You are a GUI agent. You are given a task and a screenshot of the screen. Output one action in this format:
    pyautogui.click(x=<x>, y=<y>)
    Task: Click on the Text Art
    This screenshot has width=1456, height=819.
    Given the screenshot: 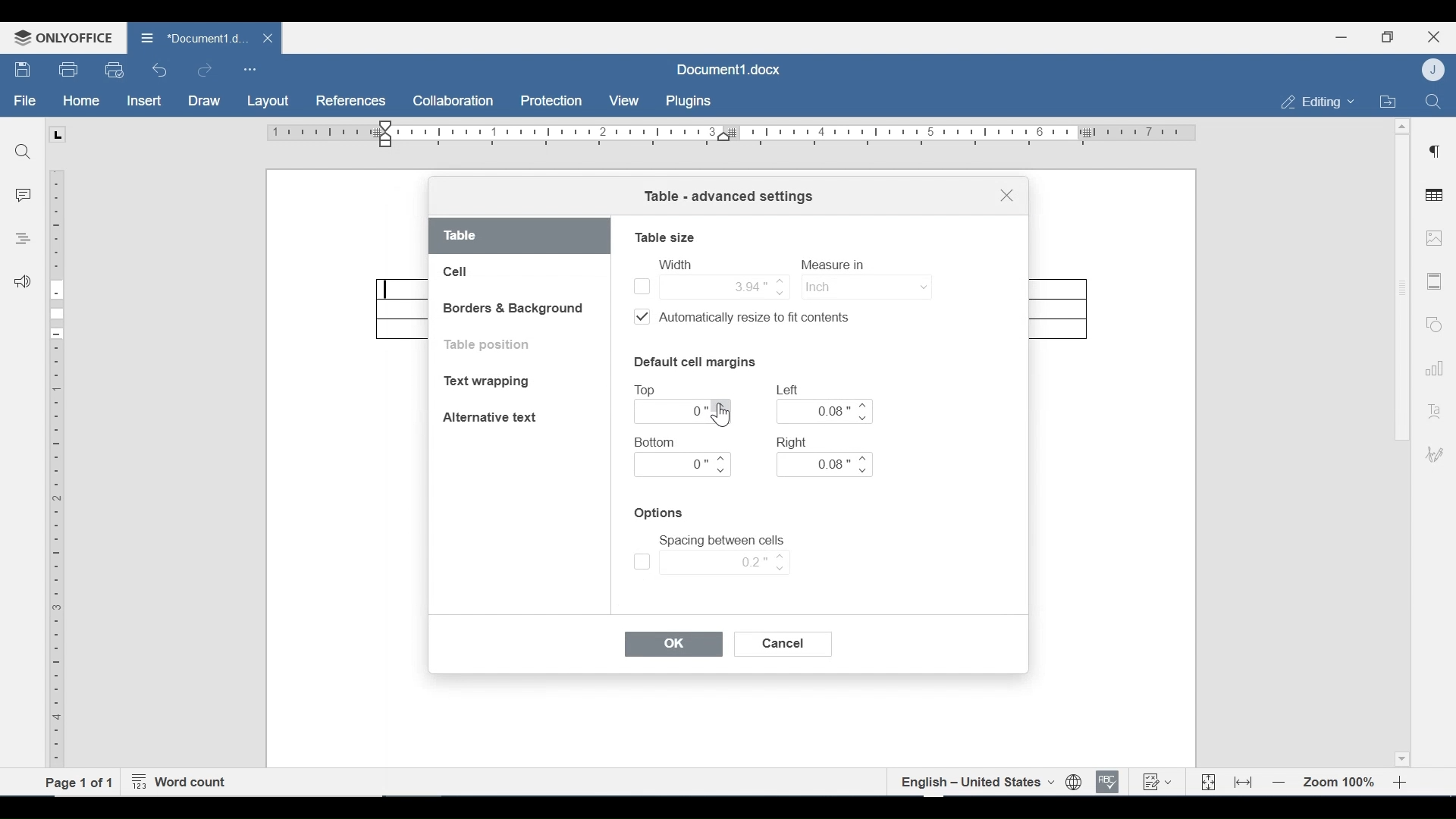 What is the action you would take?
    pyautogui.click(x=1432, y=408)
    